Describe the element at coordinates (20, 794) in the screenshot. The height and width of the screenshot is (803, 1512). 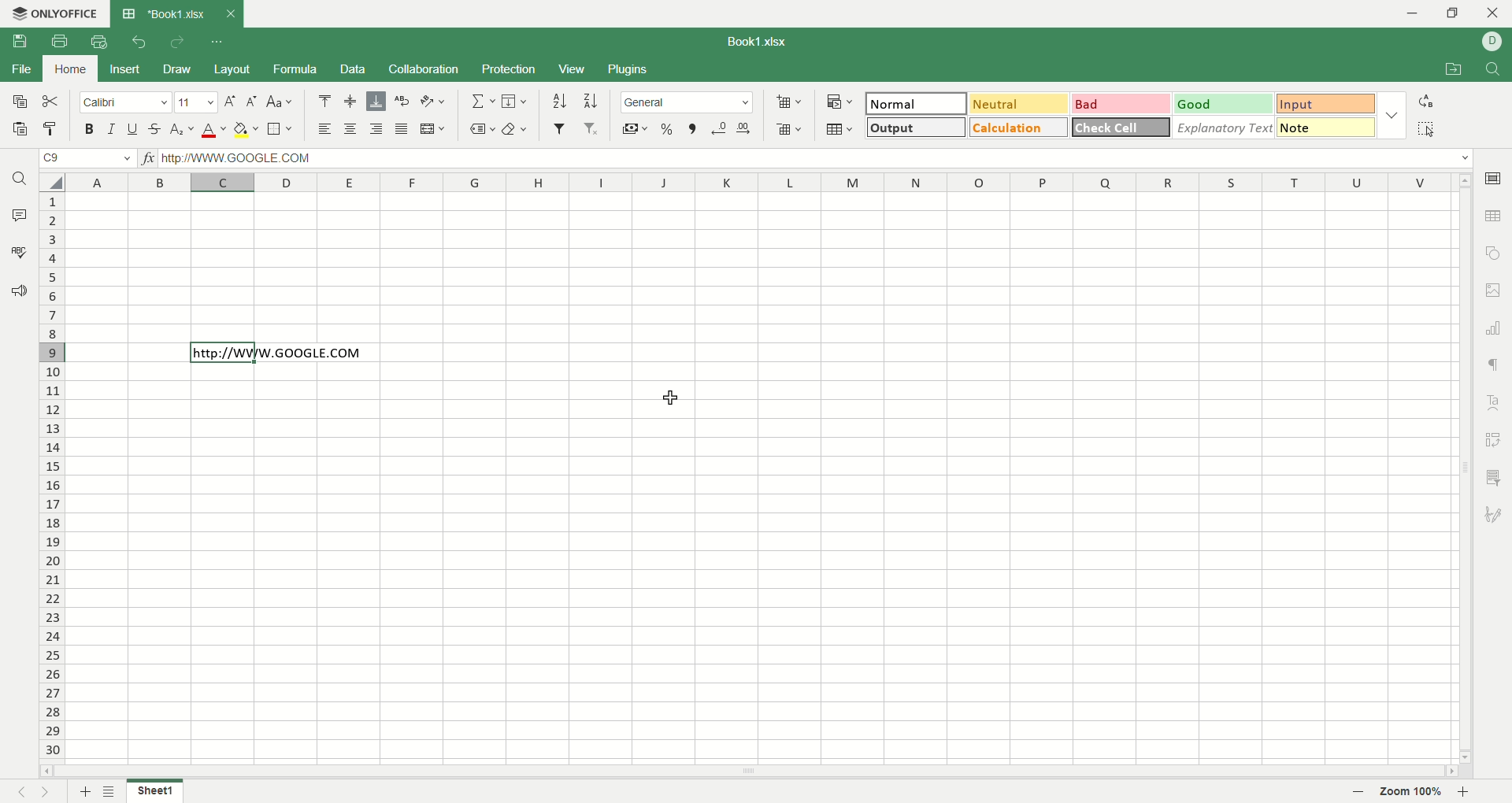
I see `previous` at that location.